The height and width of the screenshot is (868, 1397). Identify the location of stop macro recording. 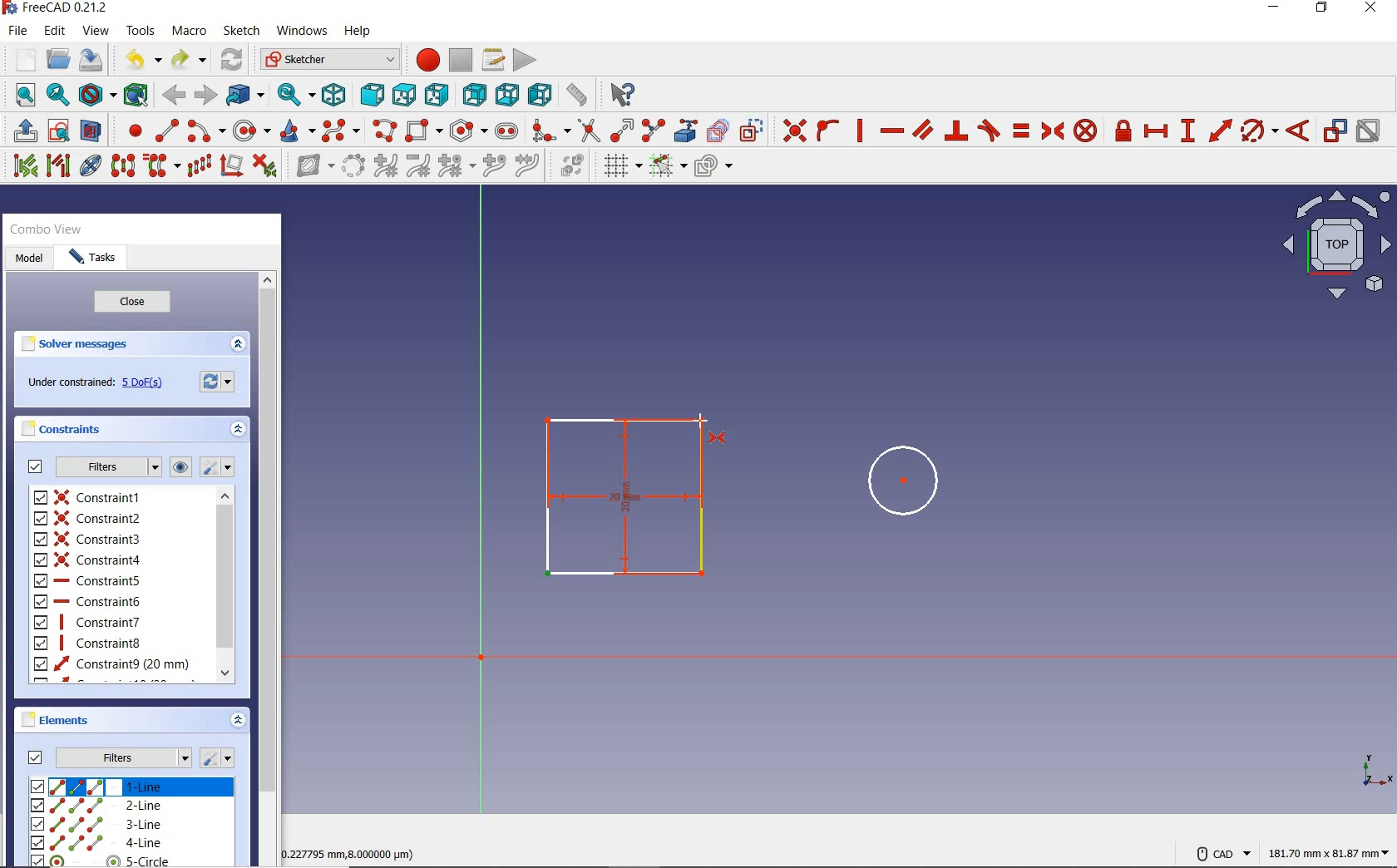
(462, 59).